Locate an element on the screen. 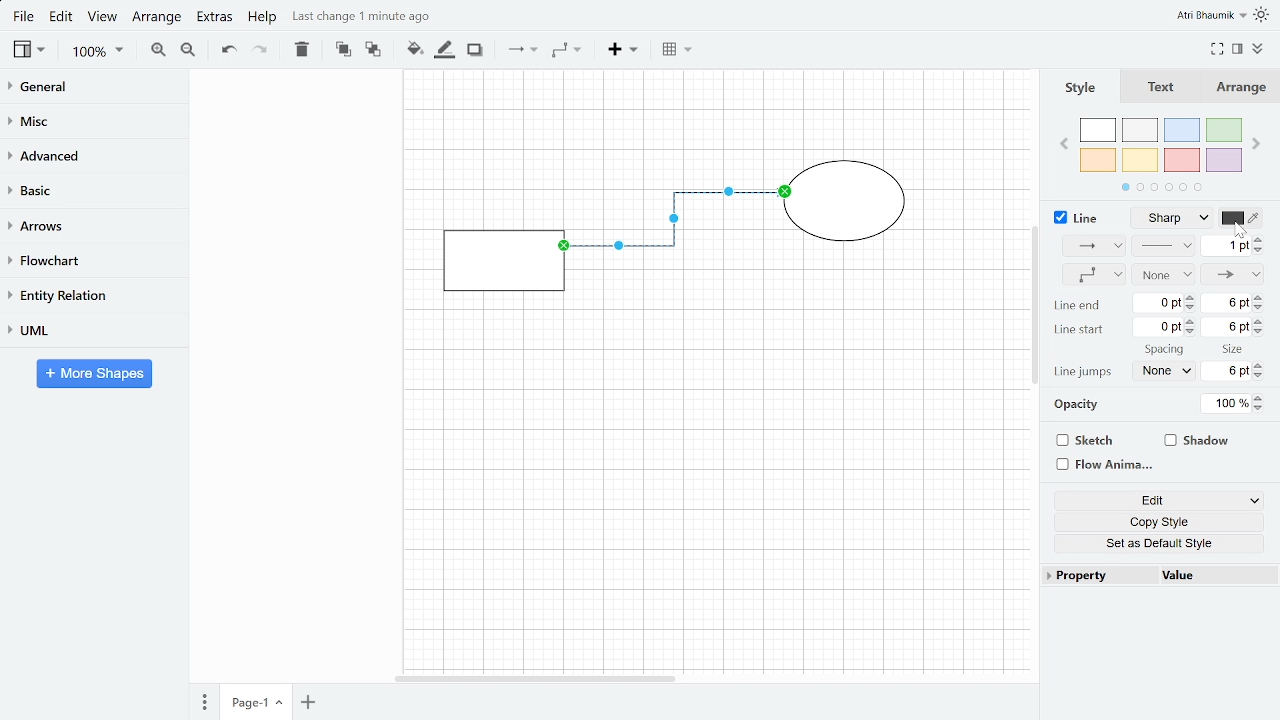  Style is located at coordinates (1086, 87).